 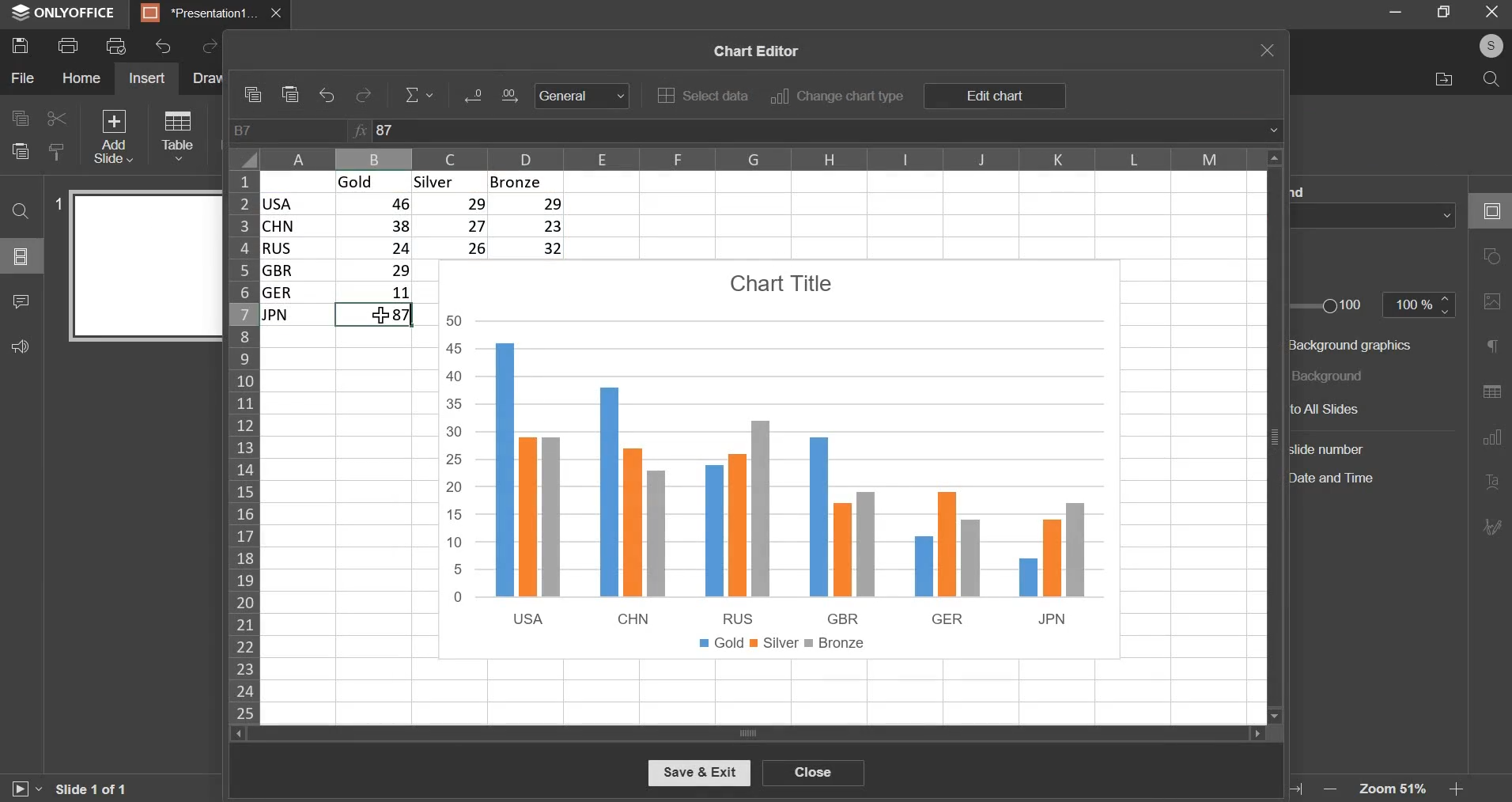 What do you see at coordinates (837, 96) in the screenshot?
I see `change chart type` at bounding box center [837, 96].